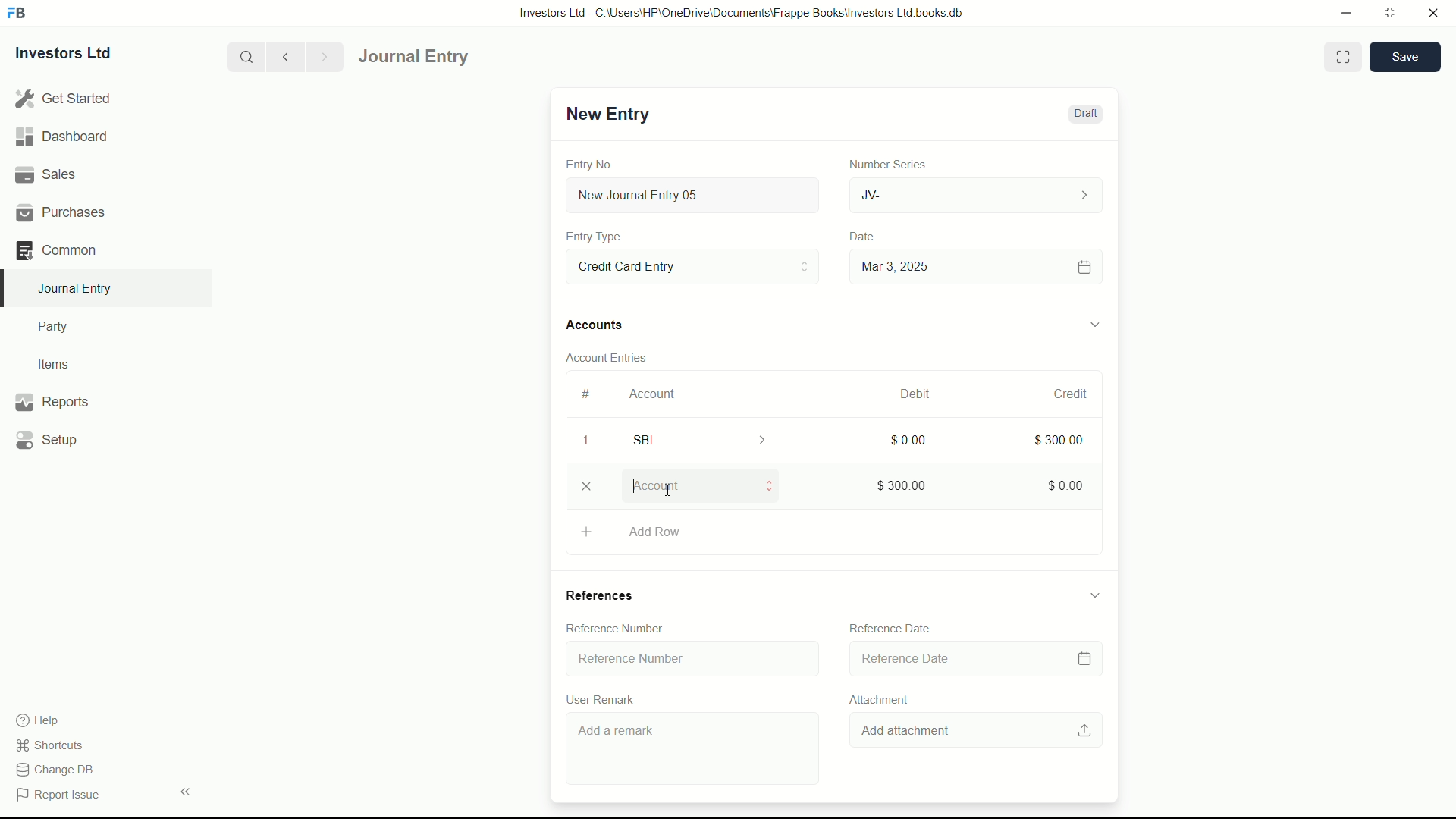  What do you see at coordinates (908, 394) in the screenshot?
I see `Debit` at bounding box center [908, 394].